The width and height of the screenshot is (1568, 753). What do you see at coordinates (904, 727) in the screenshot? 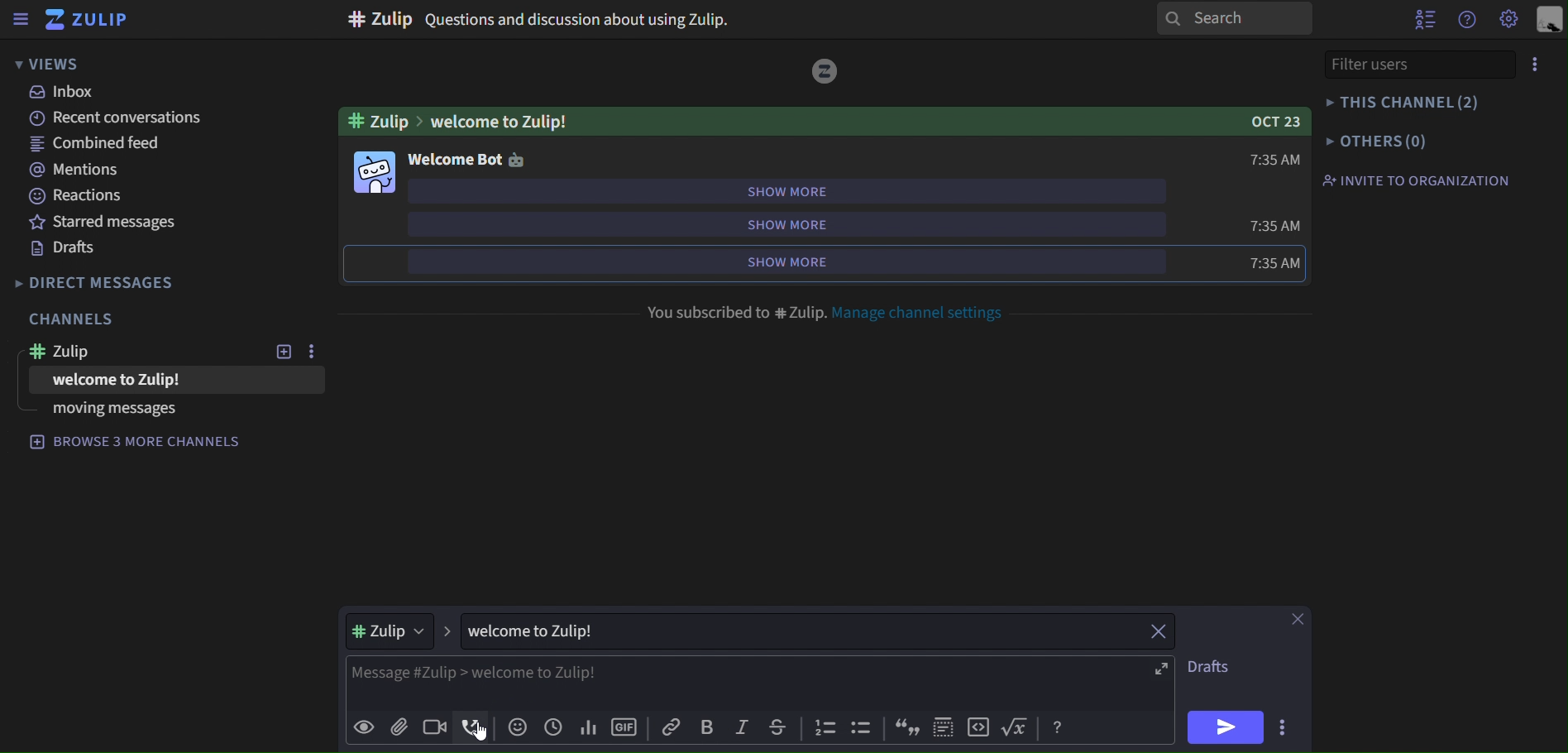
I see `icon` at bounding box center [904, 727].